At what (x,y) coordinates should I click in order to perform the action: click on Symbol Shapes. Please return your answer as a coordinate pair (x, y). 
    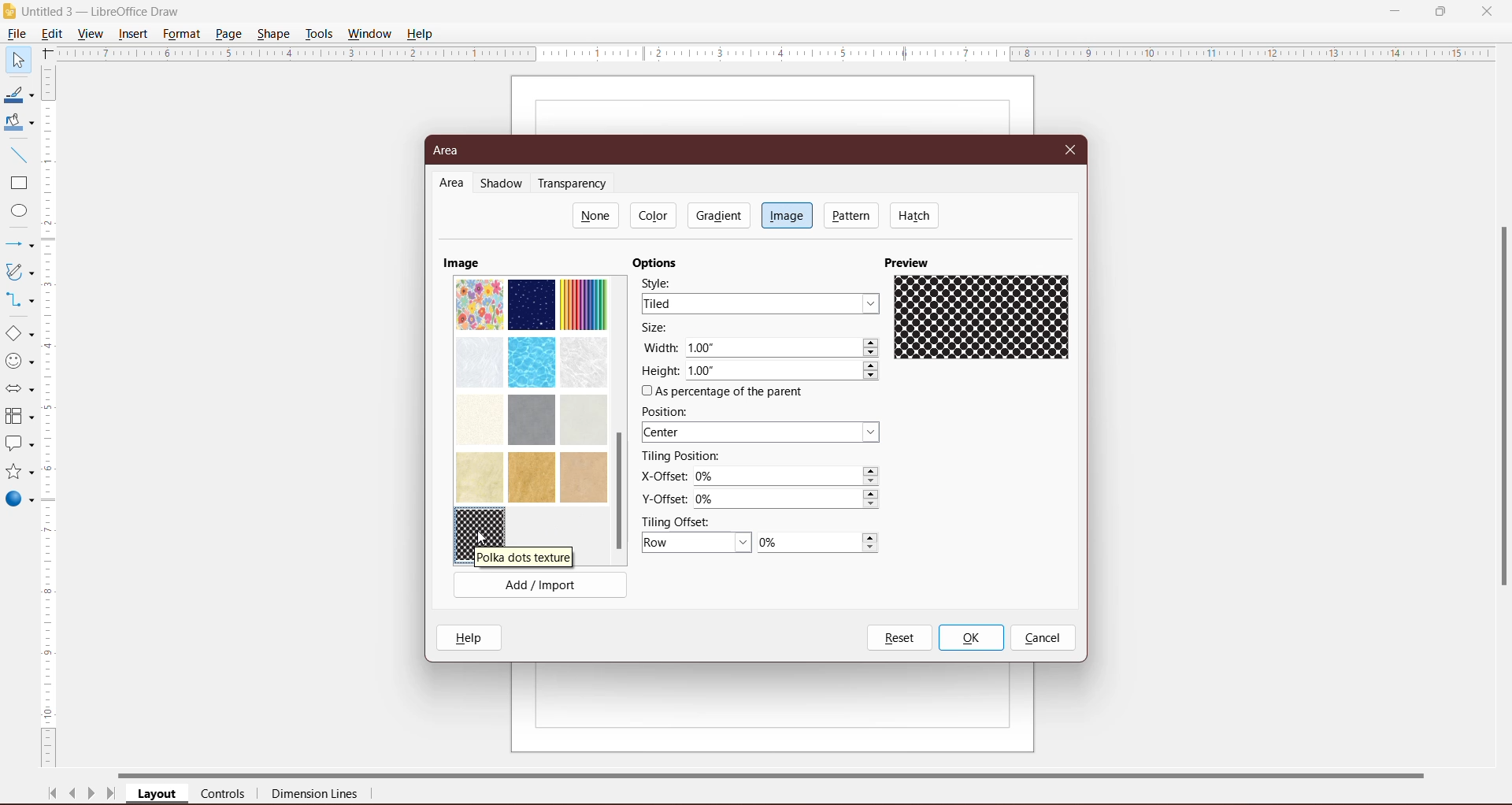
    Looking at the image, I should click on (19, 362).